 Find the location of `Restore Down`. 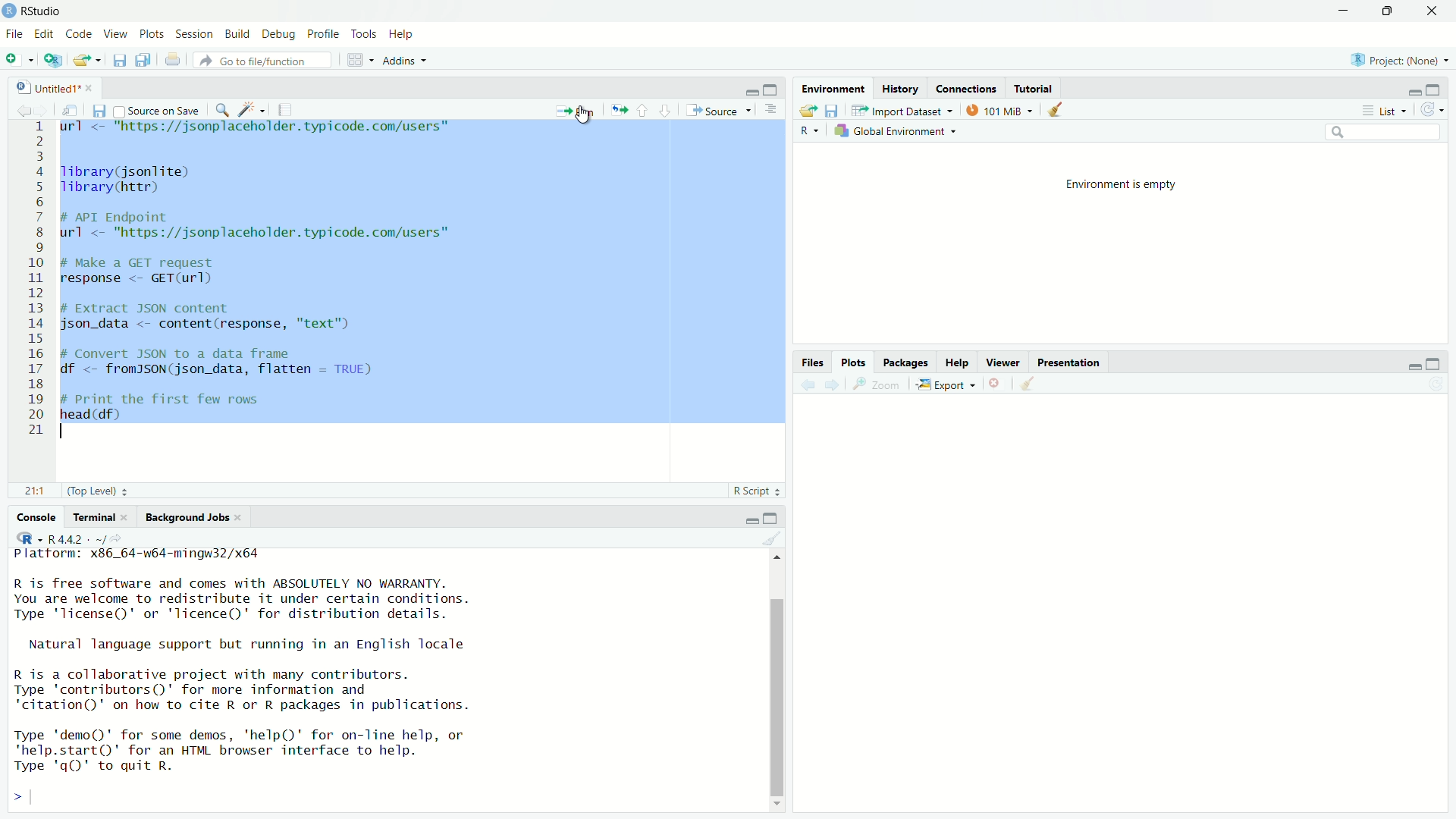

Restore Down is located at coordinates (1389, 11).